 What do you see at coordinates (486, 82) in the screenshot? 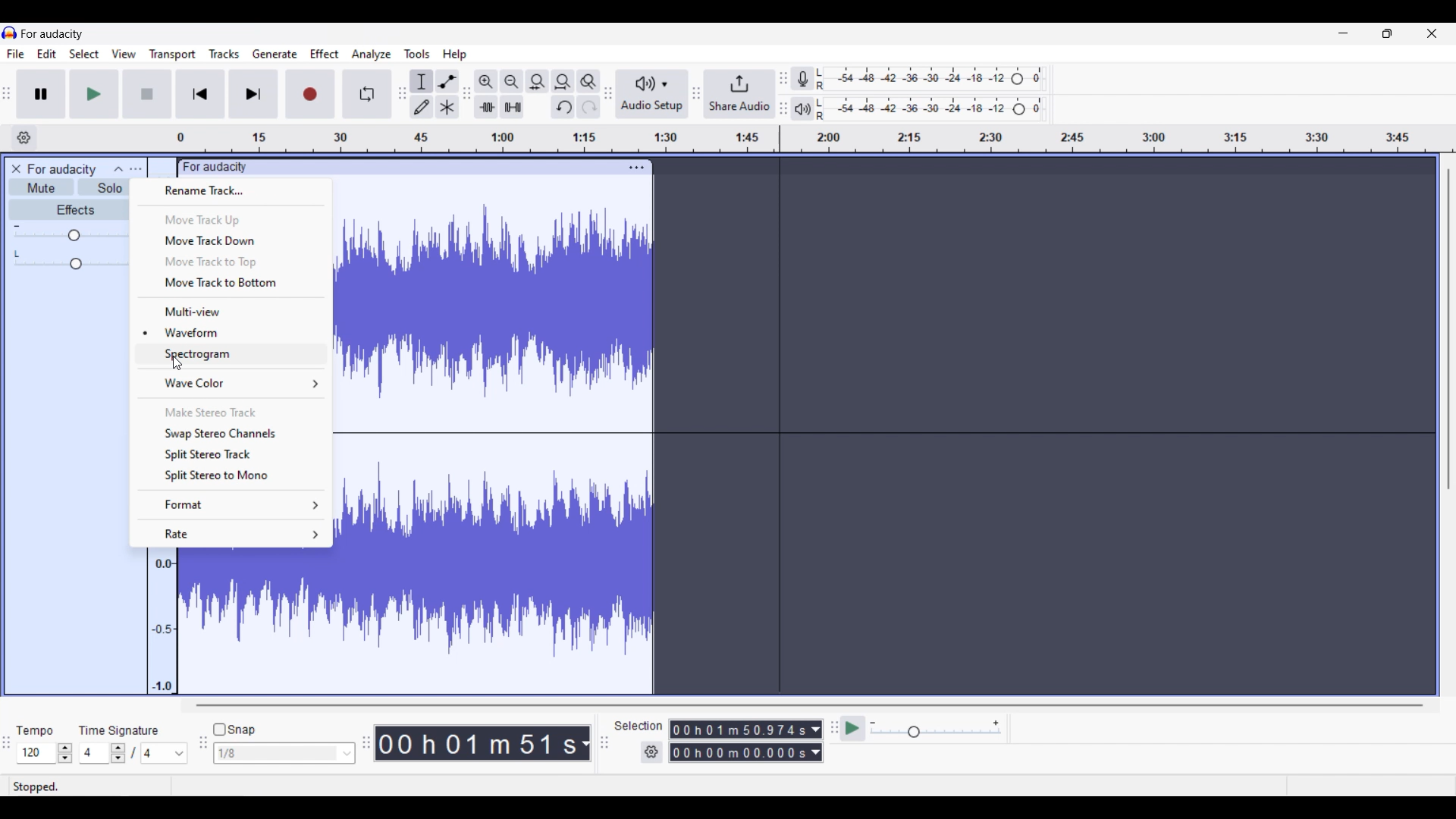
I see `Zoom in` at bounding box center [486, 82].